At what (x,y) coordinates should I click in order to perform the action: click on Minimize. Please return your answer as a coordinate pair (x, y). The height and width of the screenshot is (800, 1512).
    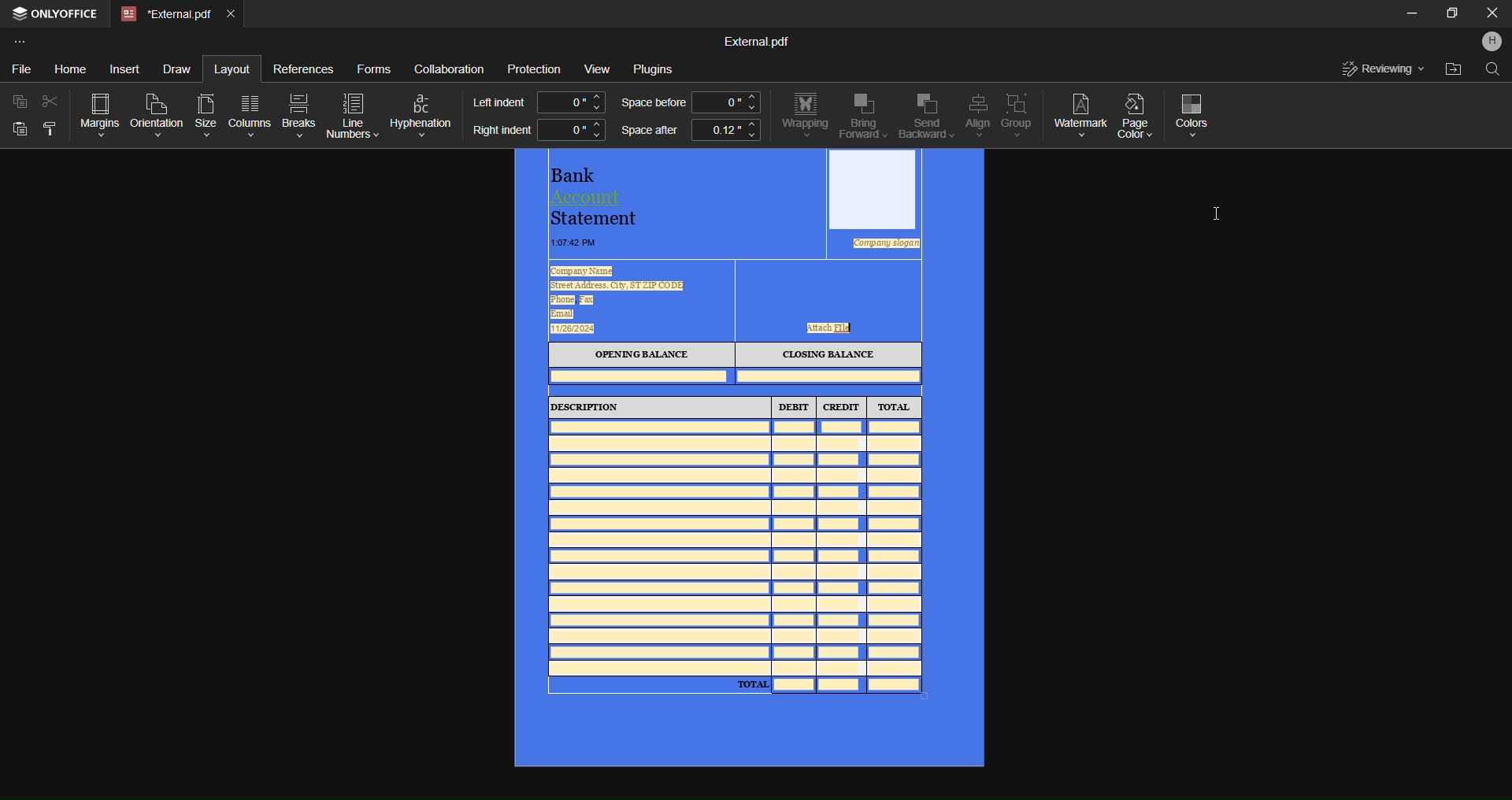
    Looking at the image, I should click on (1405, 15).